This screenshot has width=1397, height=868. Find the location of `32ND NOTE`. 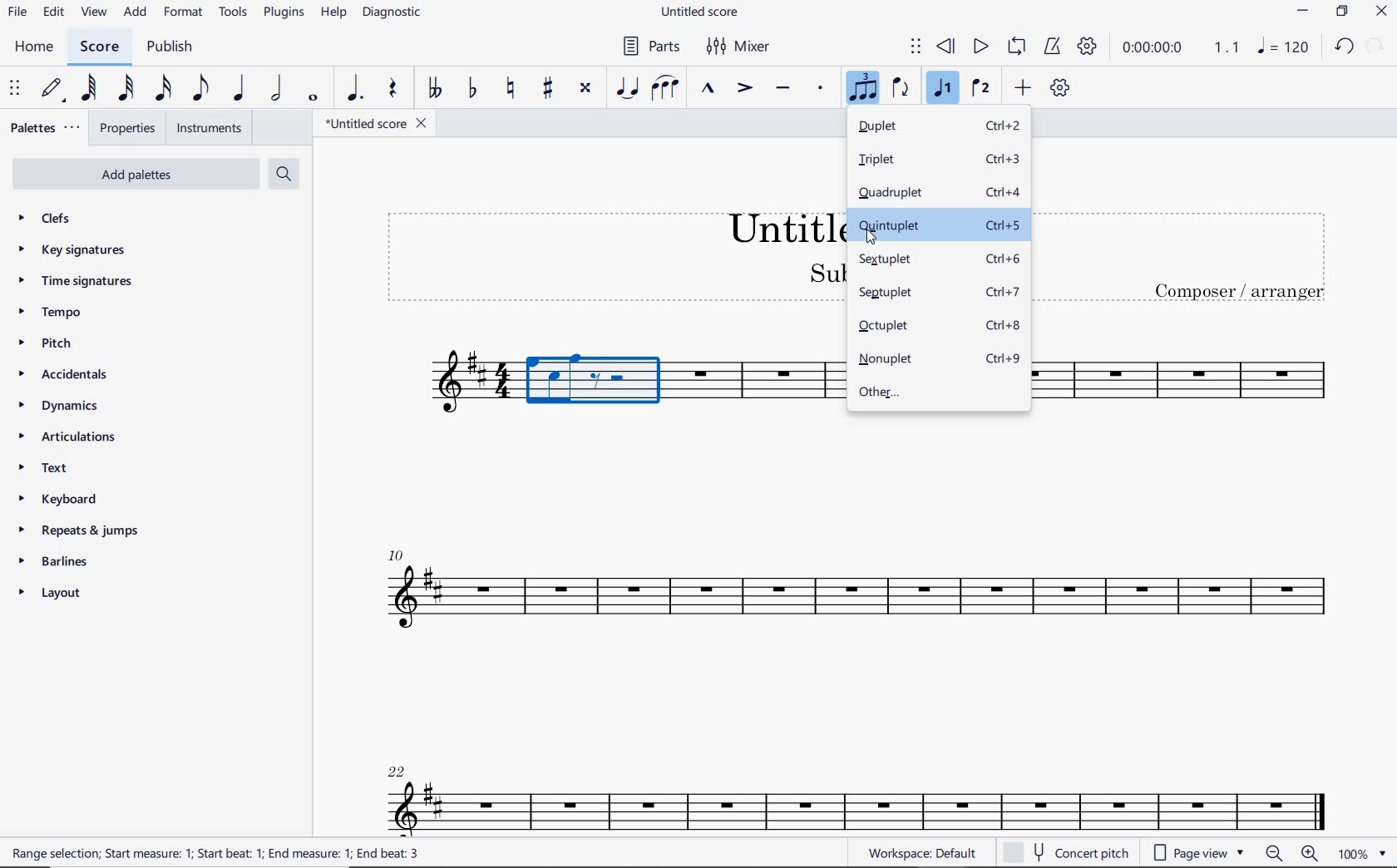

32ND NOTE is located at coordinates (125, 89).